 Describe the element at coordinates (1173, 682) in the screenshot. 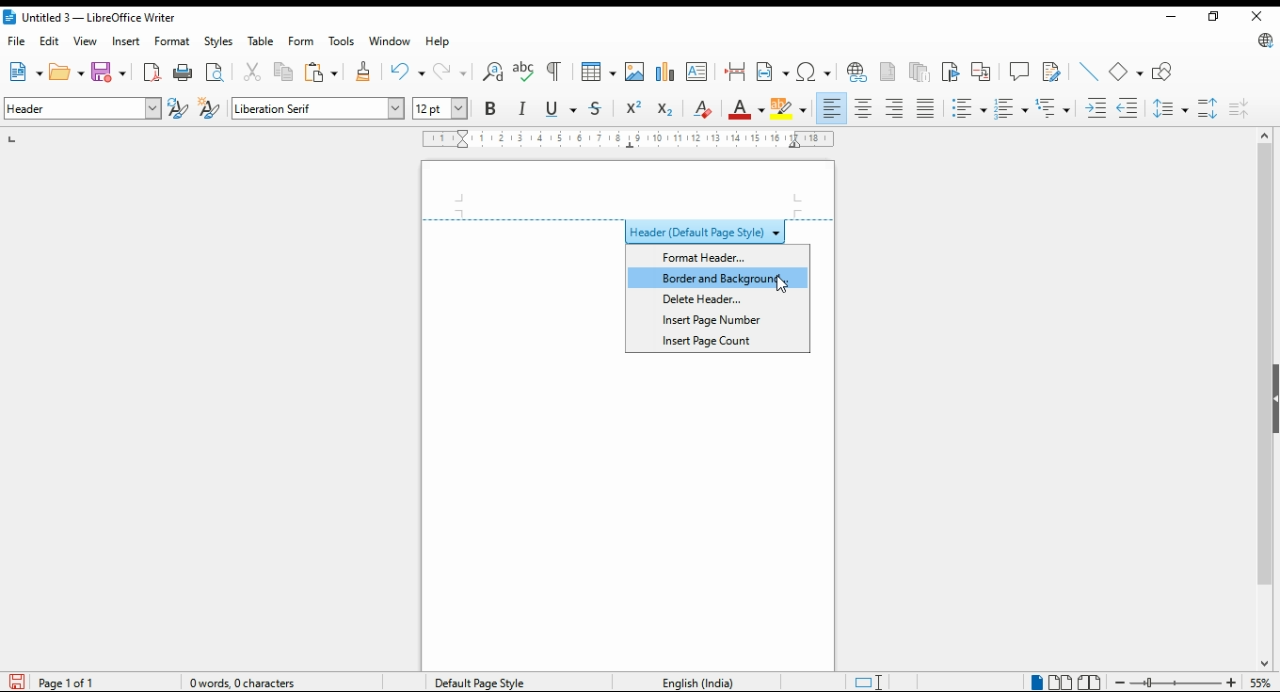

I see `zoom in/zoom out slider` at that location.